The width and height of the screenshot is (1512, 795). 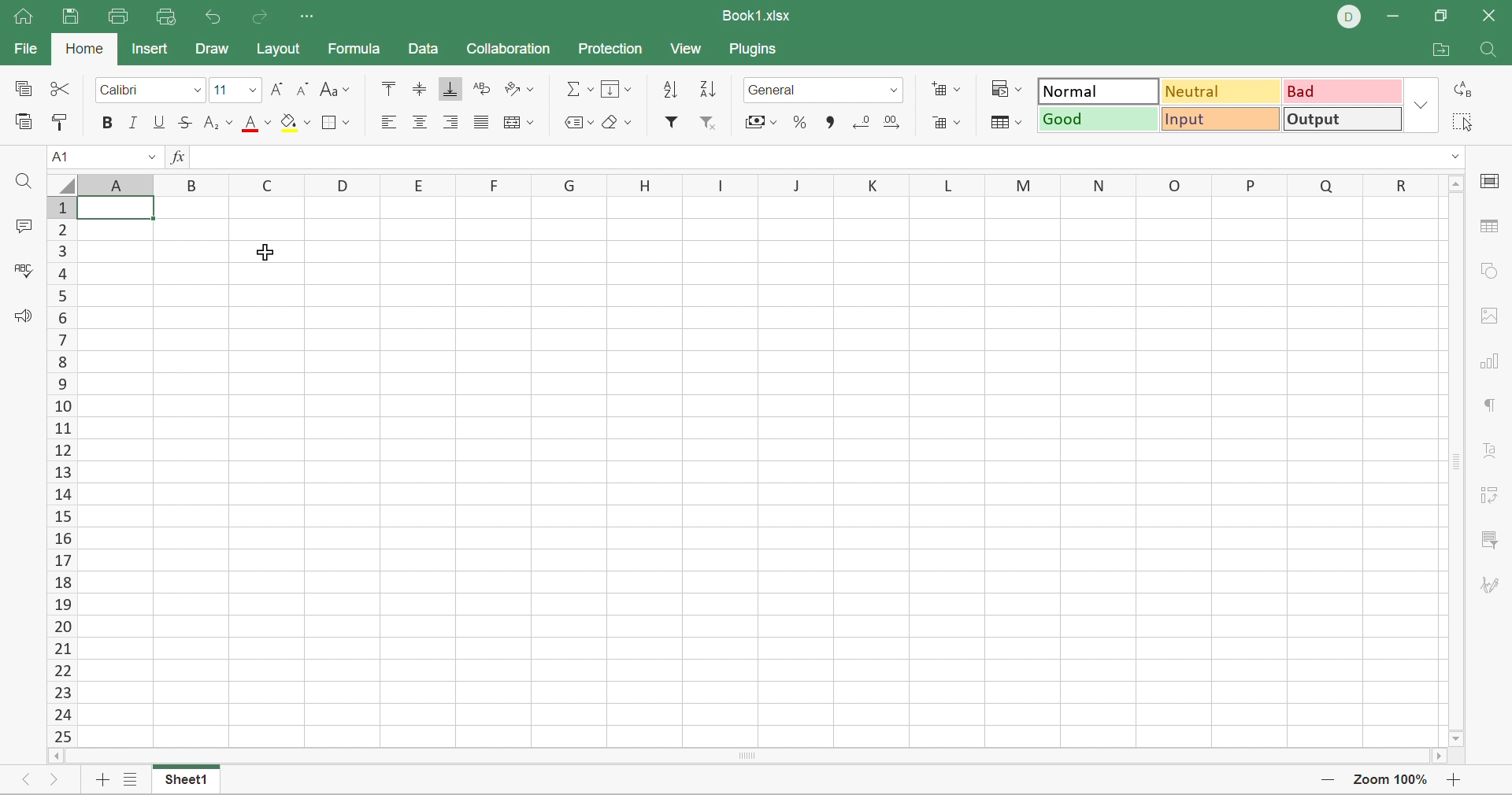 I want to click on A1, so click(x=61, y=157).